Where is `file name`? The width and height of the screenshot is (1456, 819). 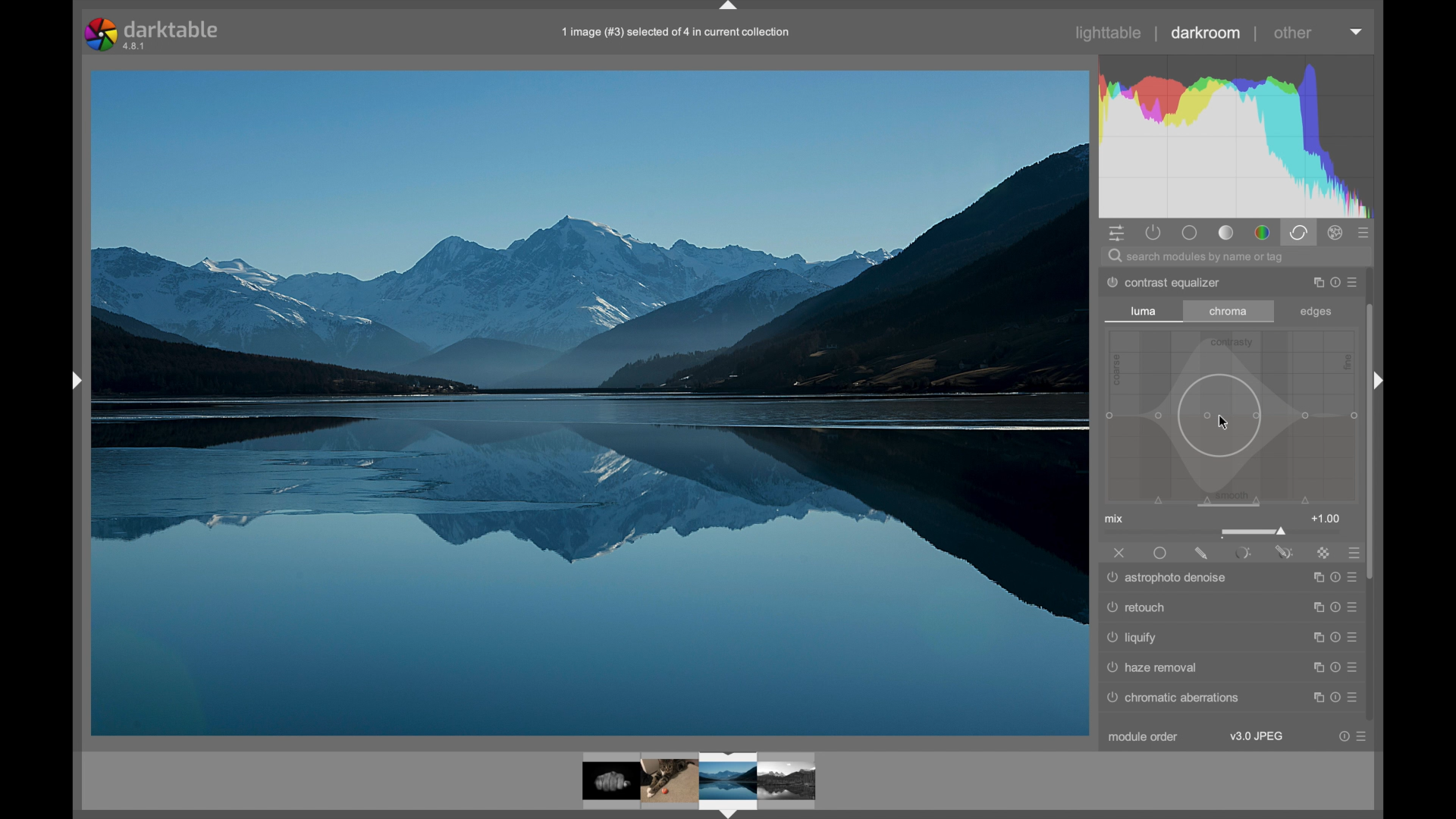
file name is located at coordinates (673, 33).